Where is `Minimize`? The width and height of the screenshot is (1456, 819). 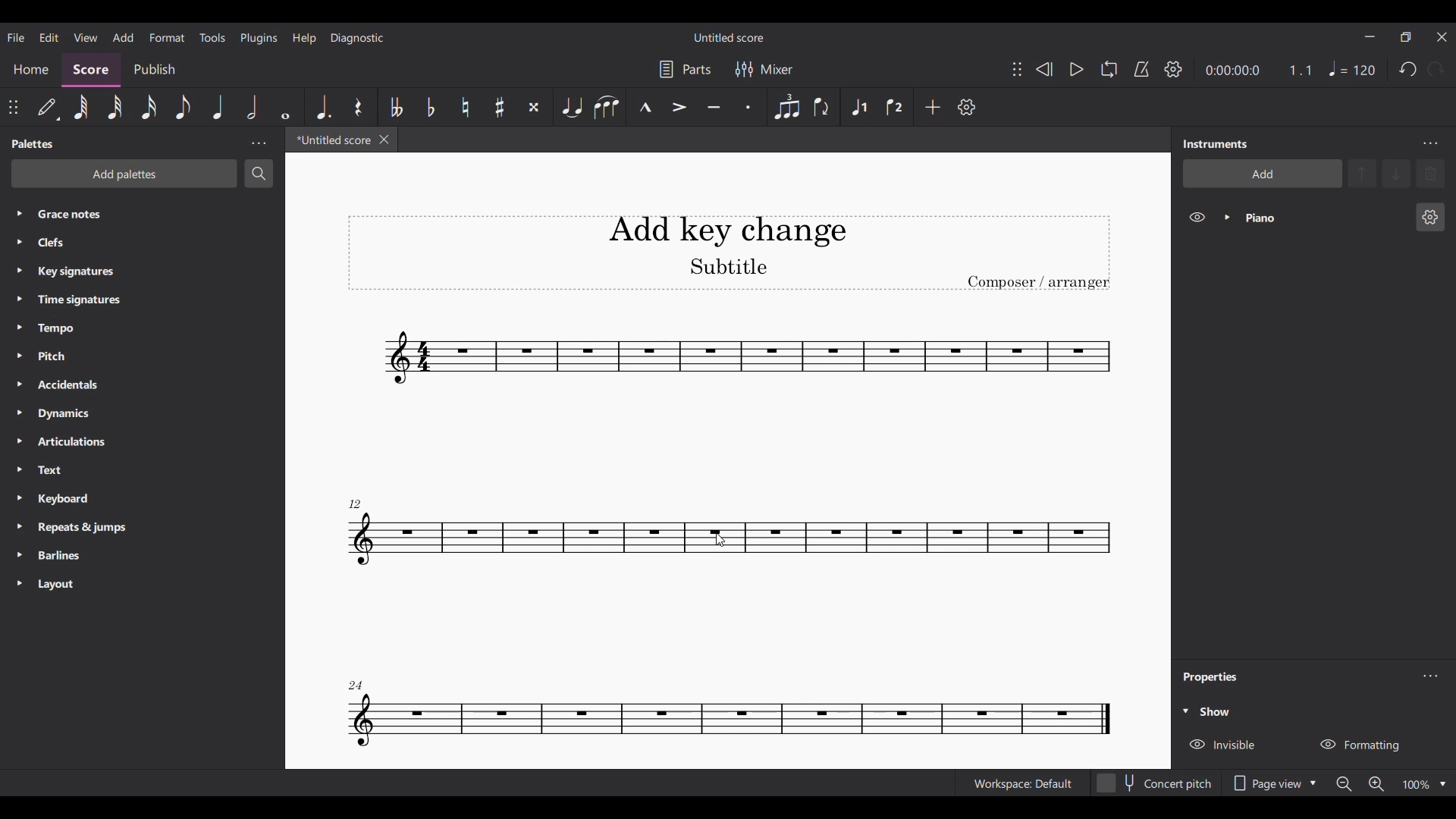 Minimize is located at coordinates (1370, 36).